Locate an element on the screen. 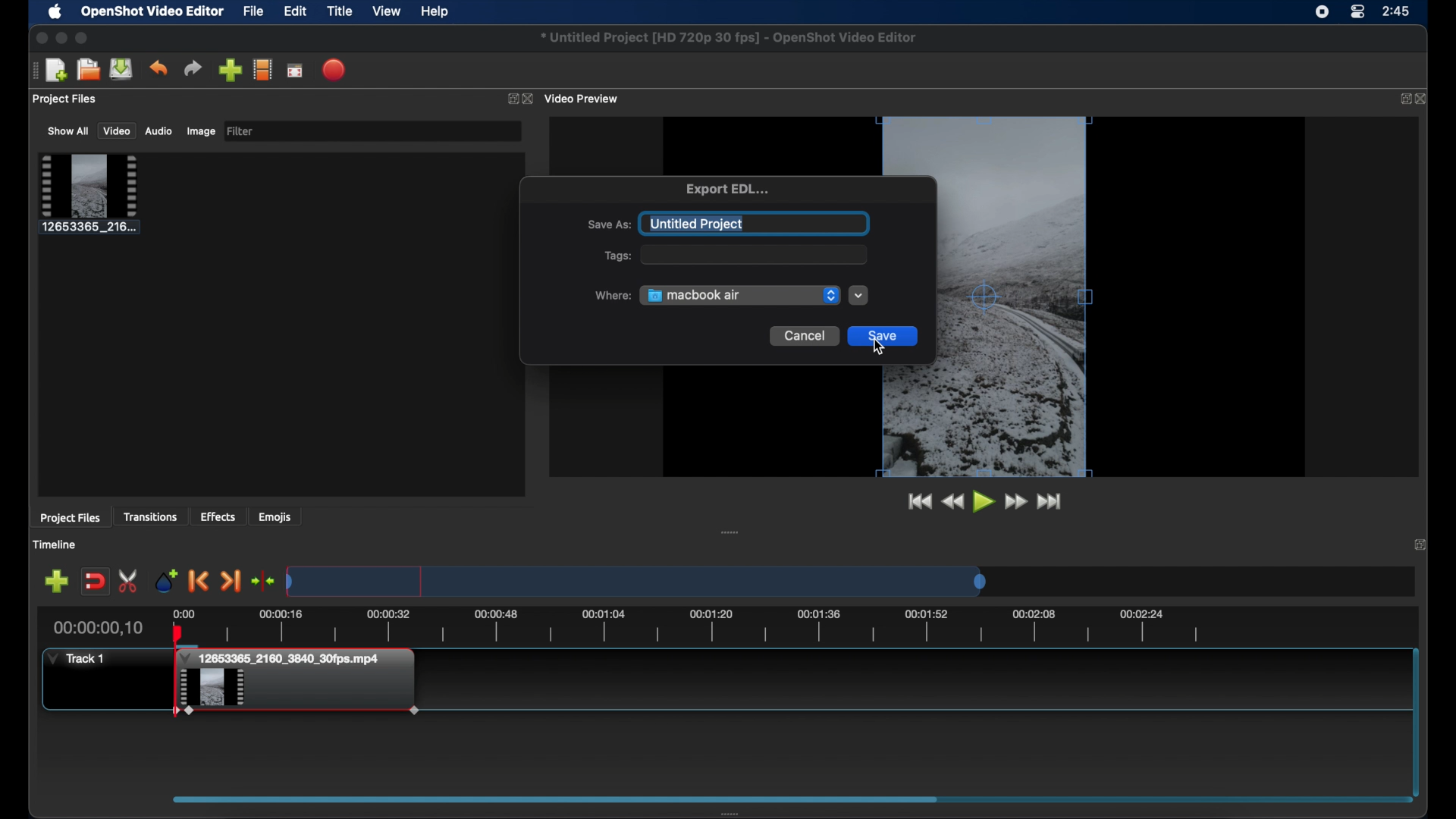 This screenshot has height=819, width=1456. minimize is located at coordinates (61, 38).